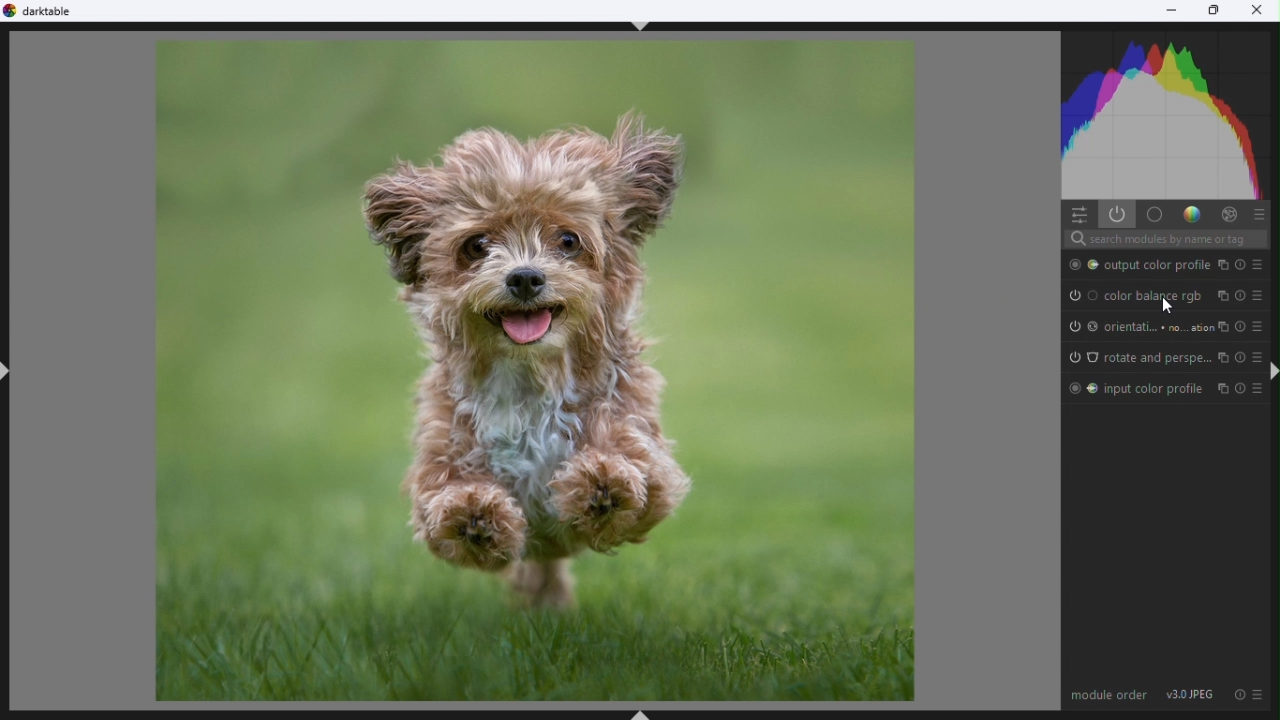 Image resolution: width=1280 pixels, height=720 pixels. I want to click on Gradient, so click(1192, 215).